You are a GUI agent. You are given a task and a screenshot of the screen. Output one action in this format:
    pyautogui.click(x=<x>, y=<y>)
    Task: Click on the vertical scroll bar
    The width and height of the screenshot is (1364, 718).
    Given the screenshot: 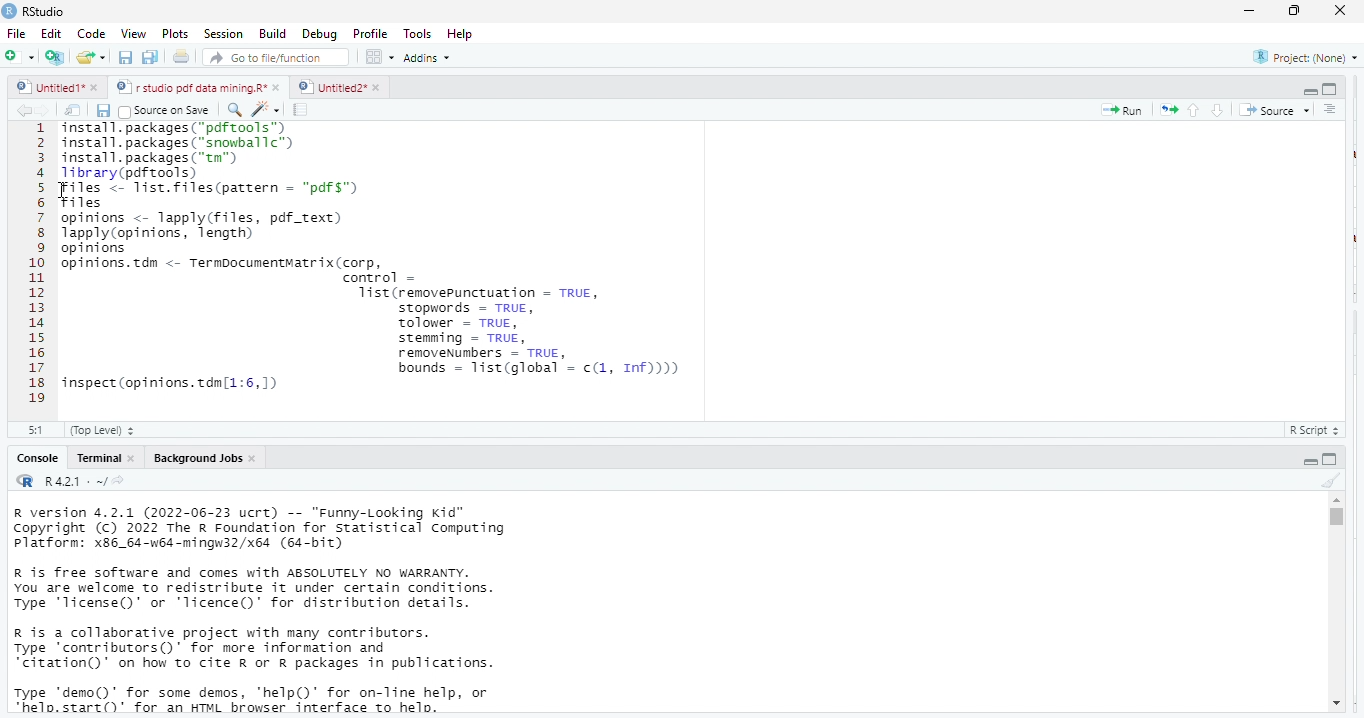 What is the action you would take?
    pyautogui.click(x=1335, y=602)
    